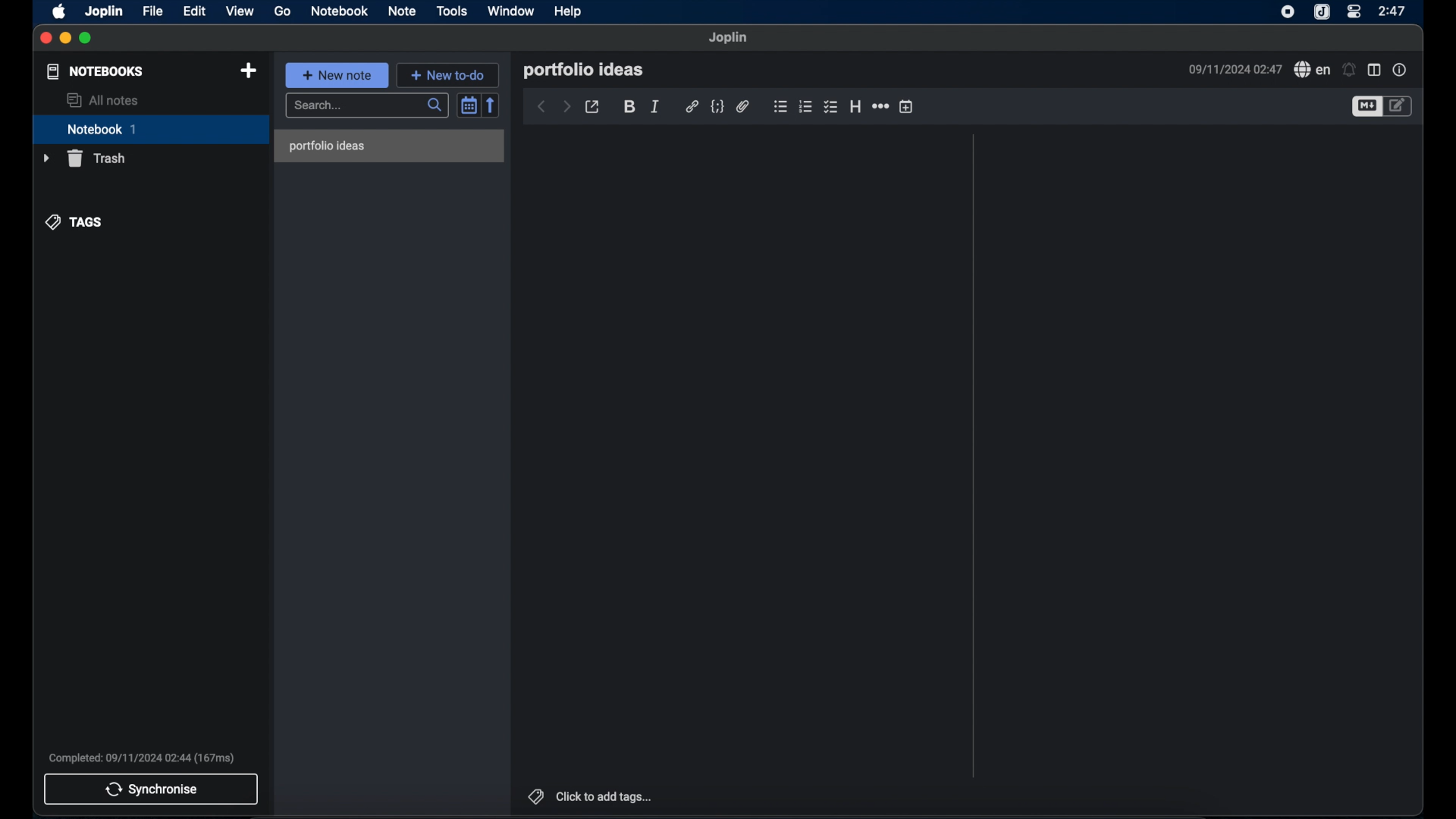  I want to click on window, so click(511, 11).